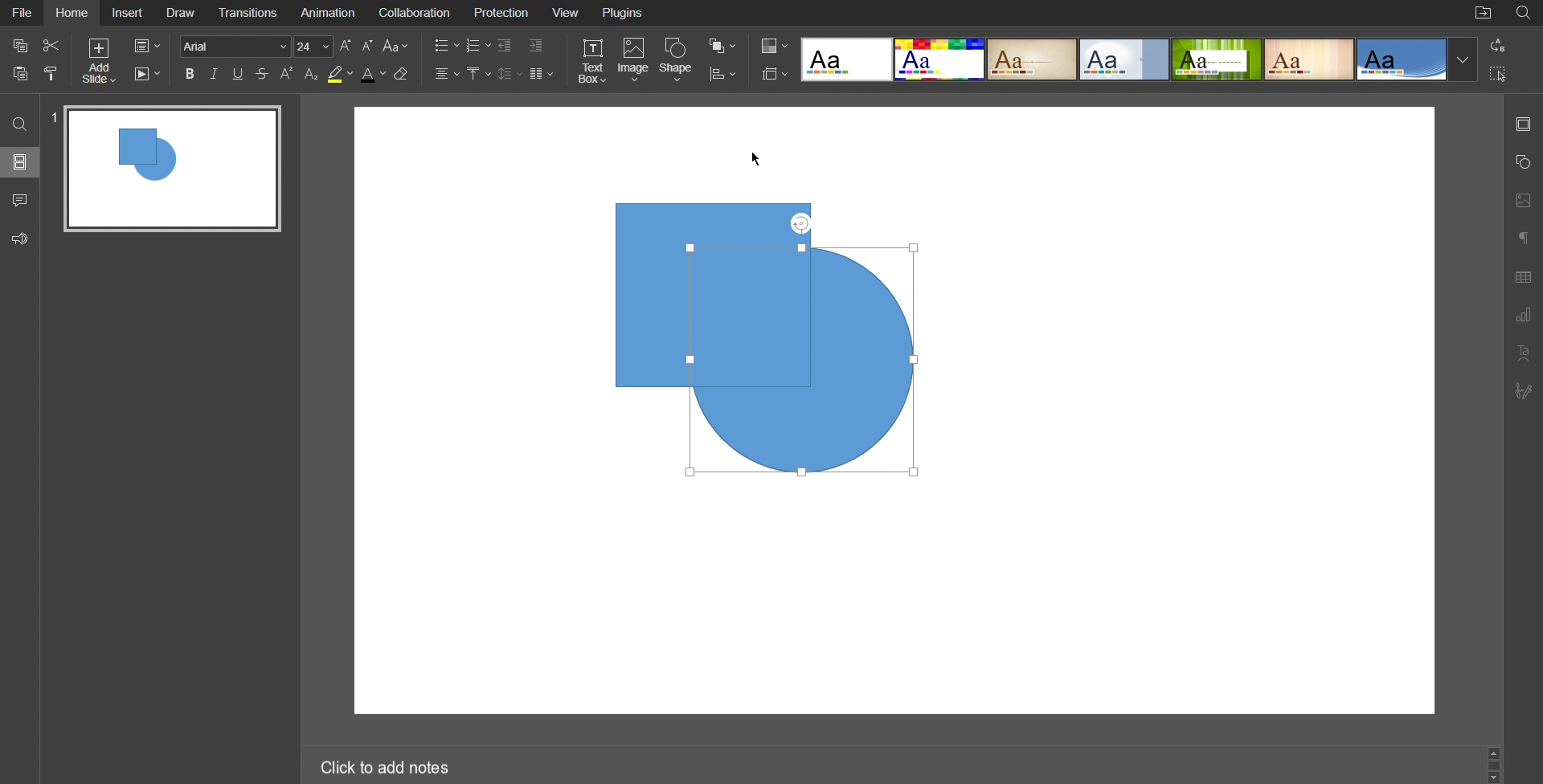  I want to click on Numbered List, so click(478, 45).